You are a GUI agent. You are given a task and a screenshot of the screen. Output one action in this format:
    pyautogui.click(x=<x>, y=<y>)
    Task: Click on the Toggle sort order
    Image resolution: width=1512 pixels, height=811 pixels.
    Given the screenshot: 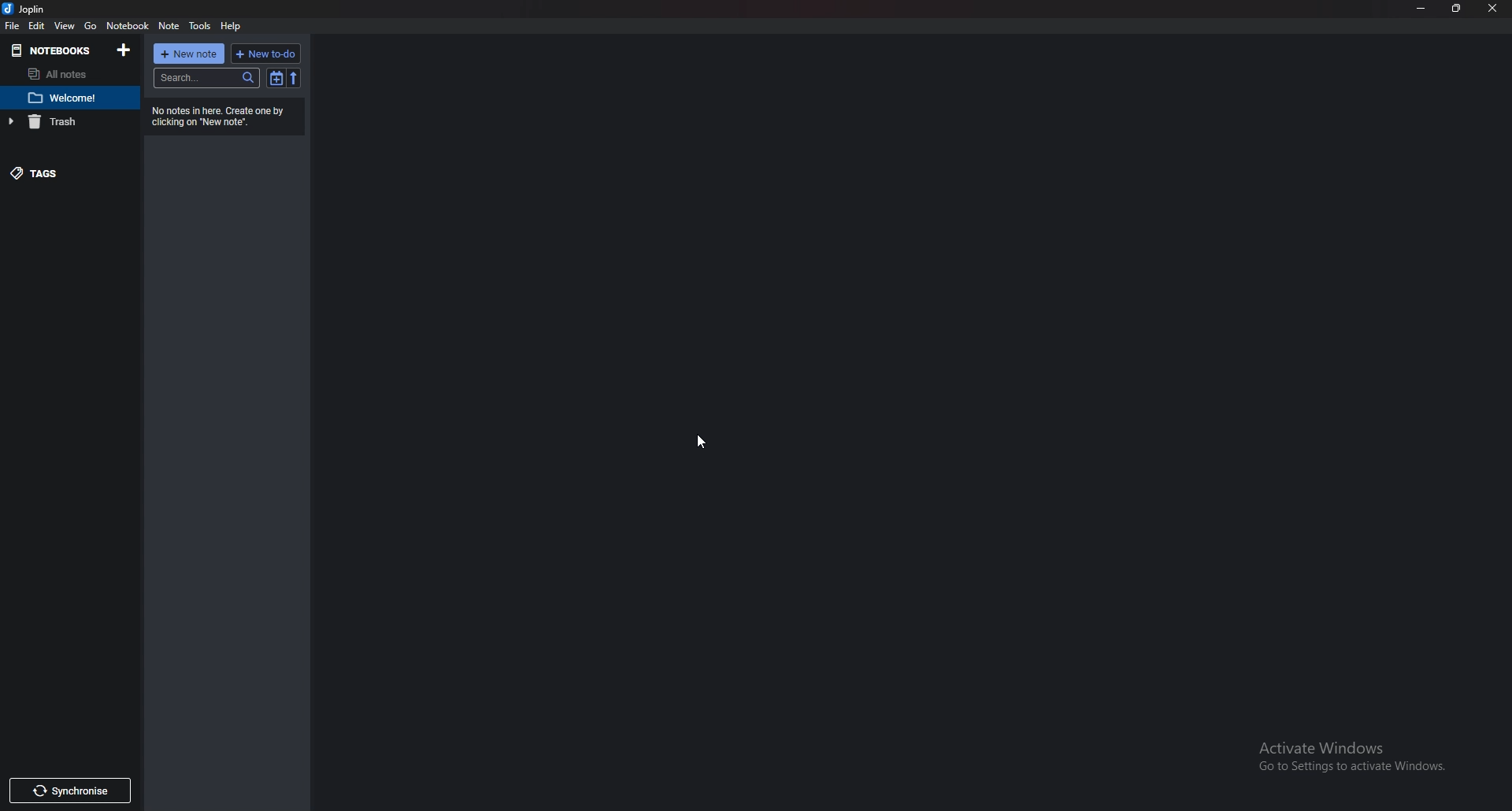 What is the action you would take?
    pyautogui.click(x=277, y=79)
    